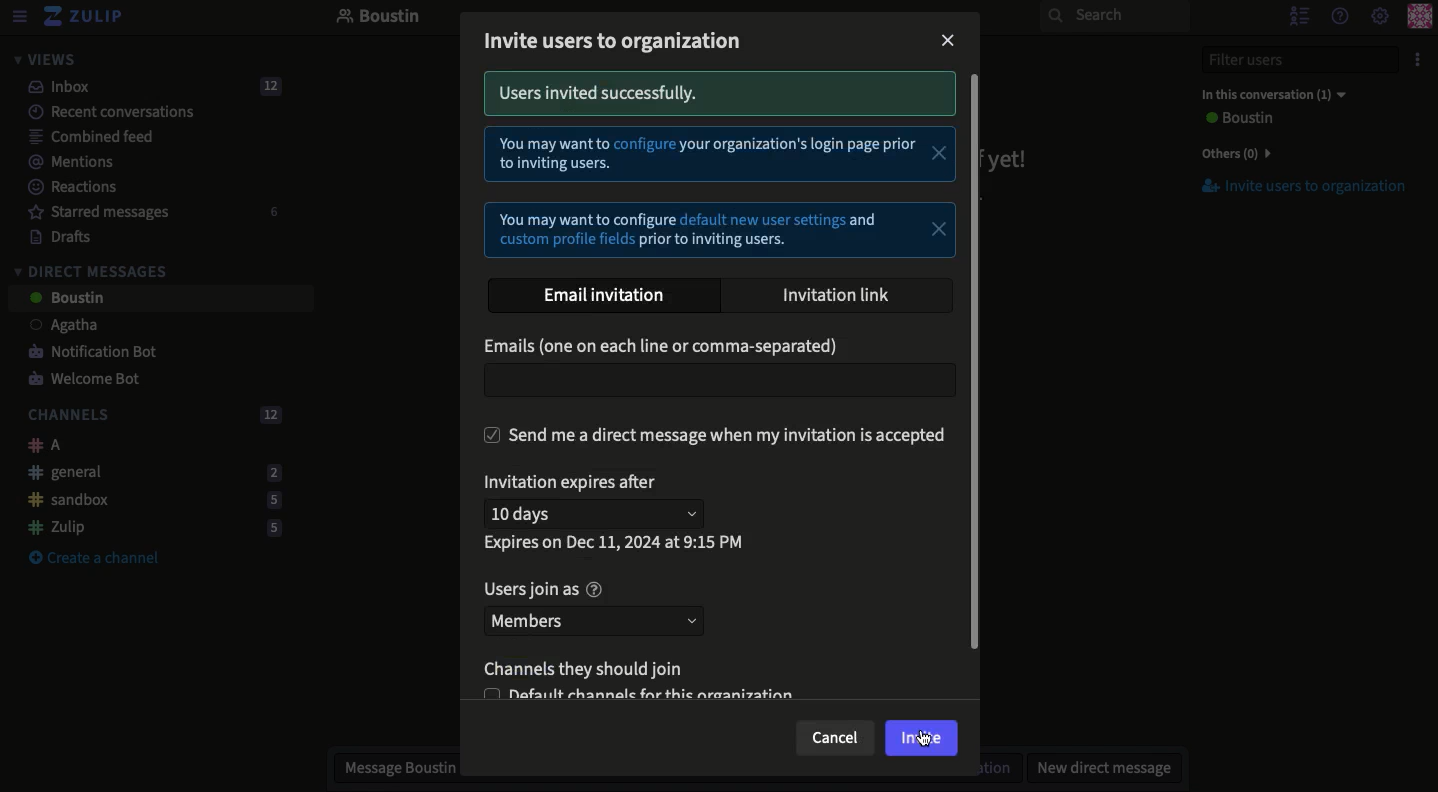  Describe the element at coordinates (150, 212) in the screenshot. I see `Starred messages` at that location.